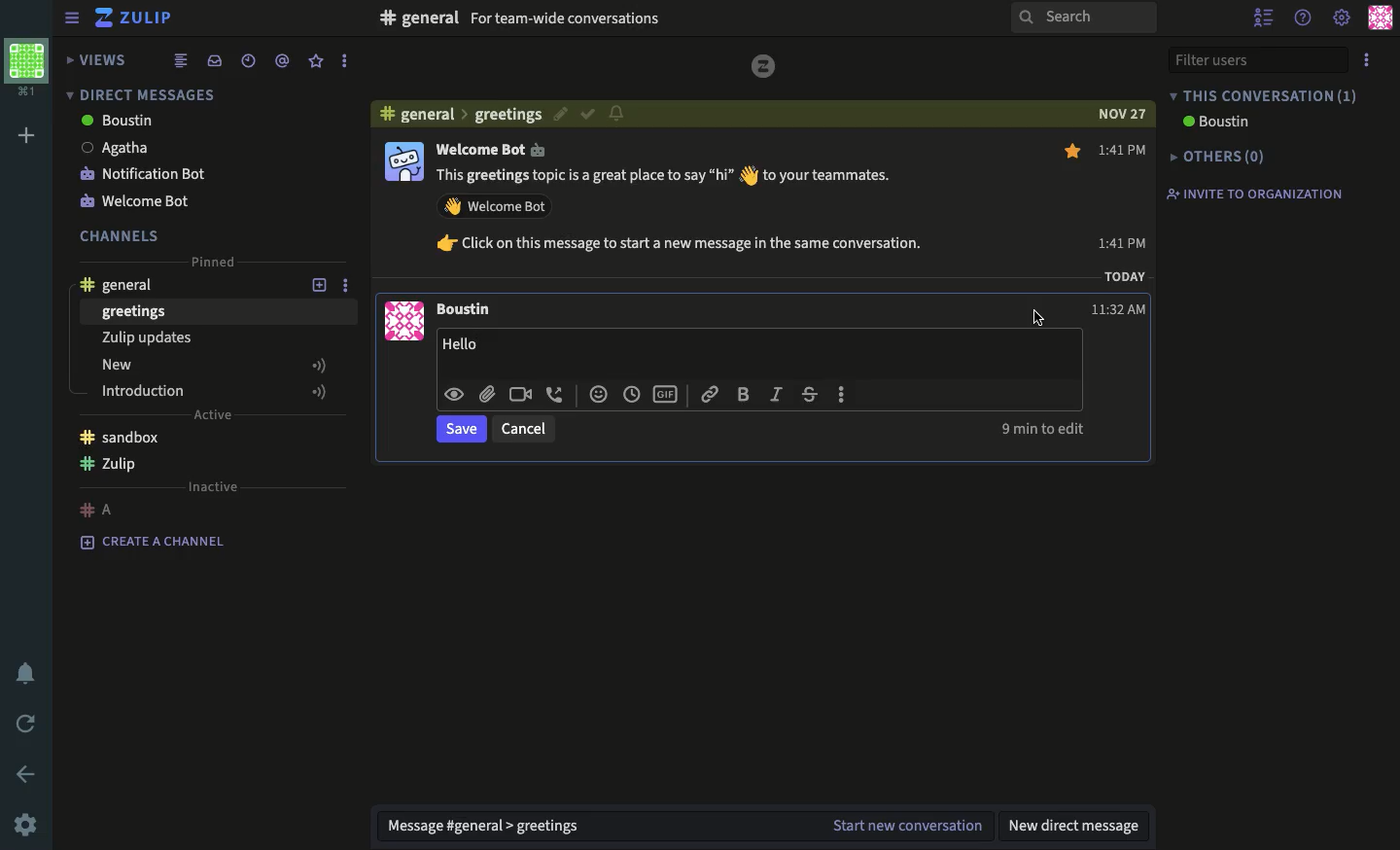 The height and width of the screenshot is (850, 1400). I want to click on Hello, so click(462, 344).